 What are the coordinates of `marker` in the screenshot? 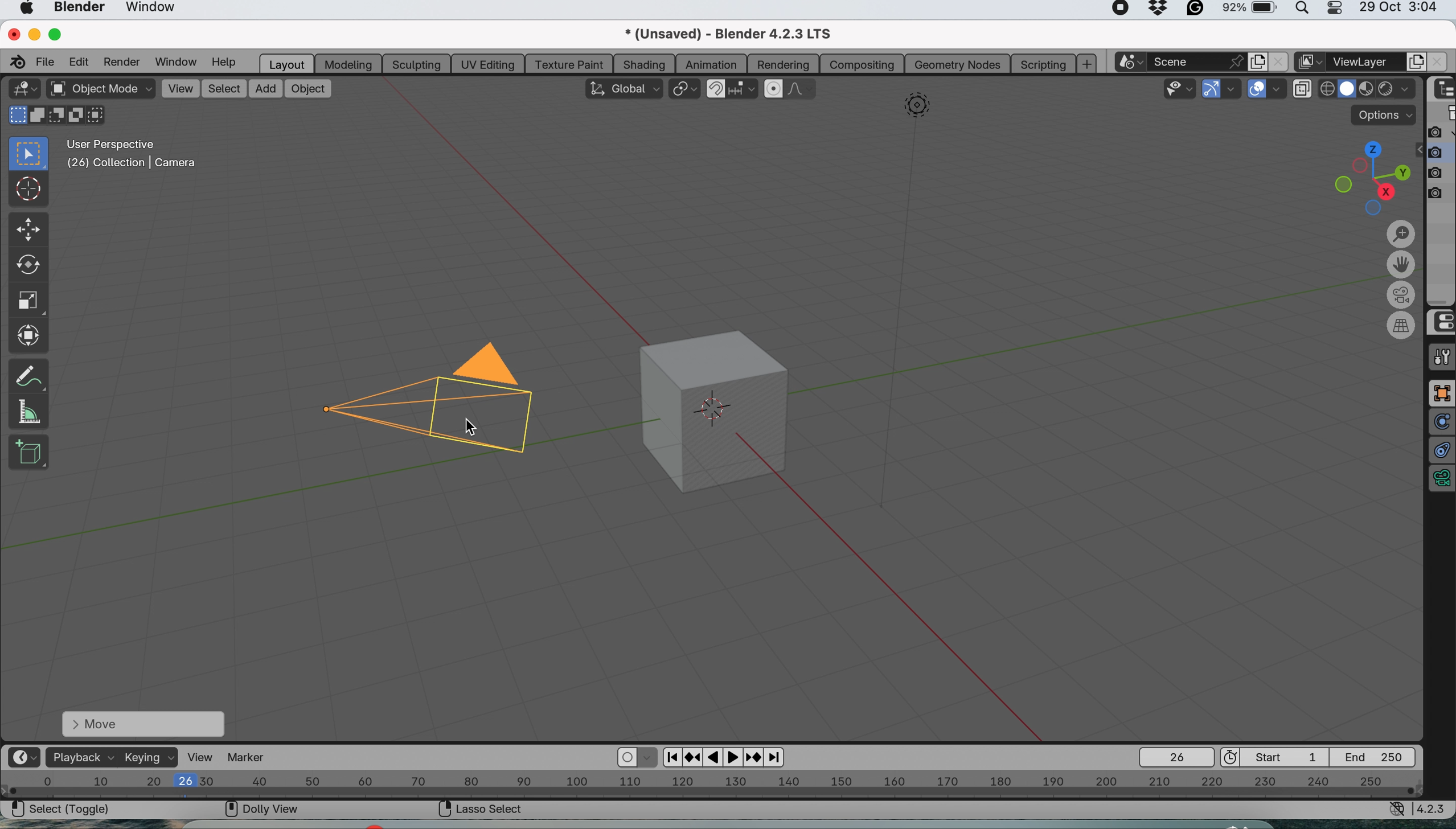 It's located at (252, 757).